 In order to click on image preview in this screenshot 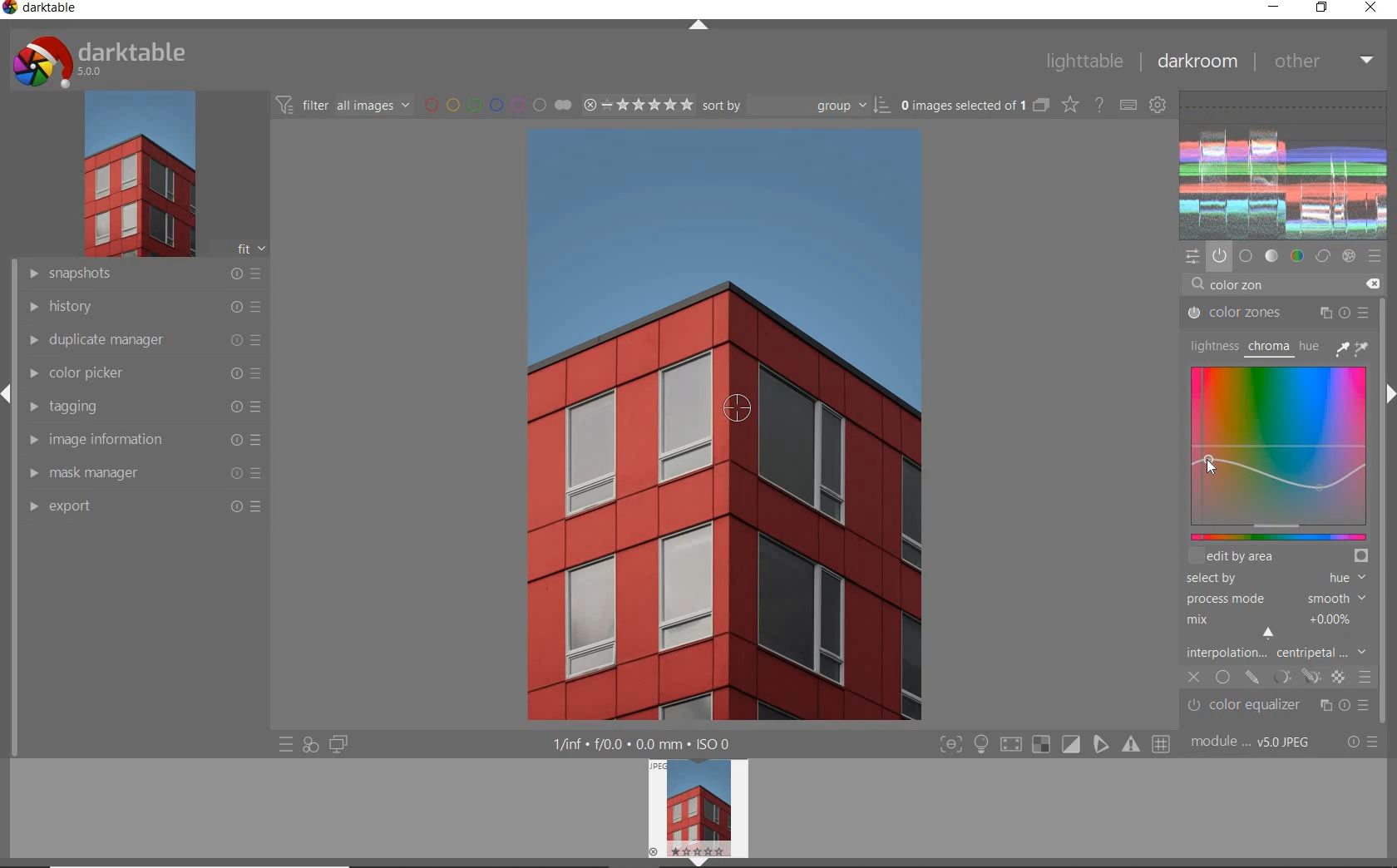, I will do `click(699, 803)`.